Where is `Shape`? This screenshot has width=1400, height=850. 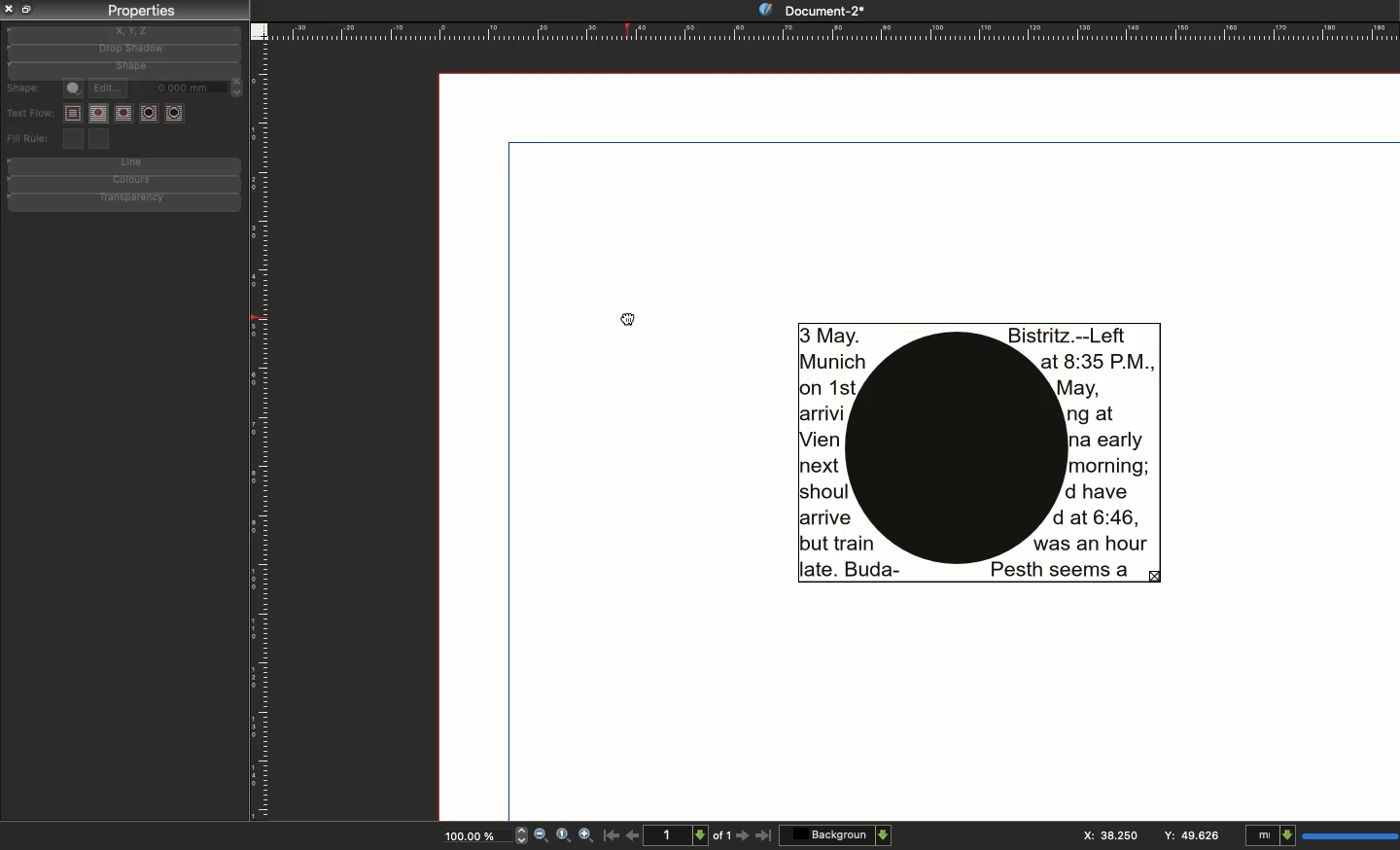
Shape is located at coordinates (76, 89).